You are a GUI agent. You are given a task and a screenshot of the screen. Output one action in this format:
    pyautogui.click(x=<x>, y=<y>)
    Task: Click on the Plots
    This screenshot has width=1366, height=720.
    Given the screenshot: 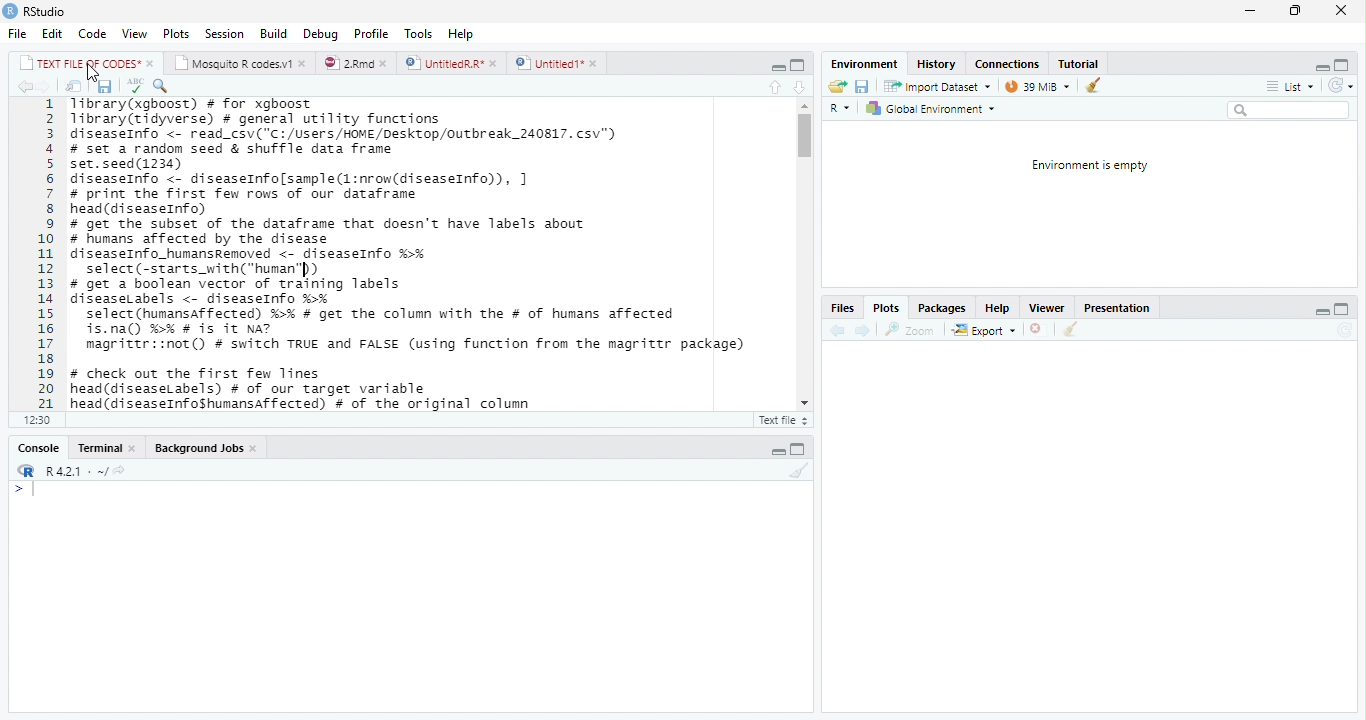 What is the action you would take?
    pyautogui.click(x=885, y=308)
    